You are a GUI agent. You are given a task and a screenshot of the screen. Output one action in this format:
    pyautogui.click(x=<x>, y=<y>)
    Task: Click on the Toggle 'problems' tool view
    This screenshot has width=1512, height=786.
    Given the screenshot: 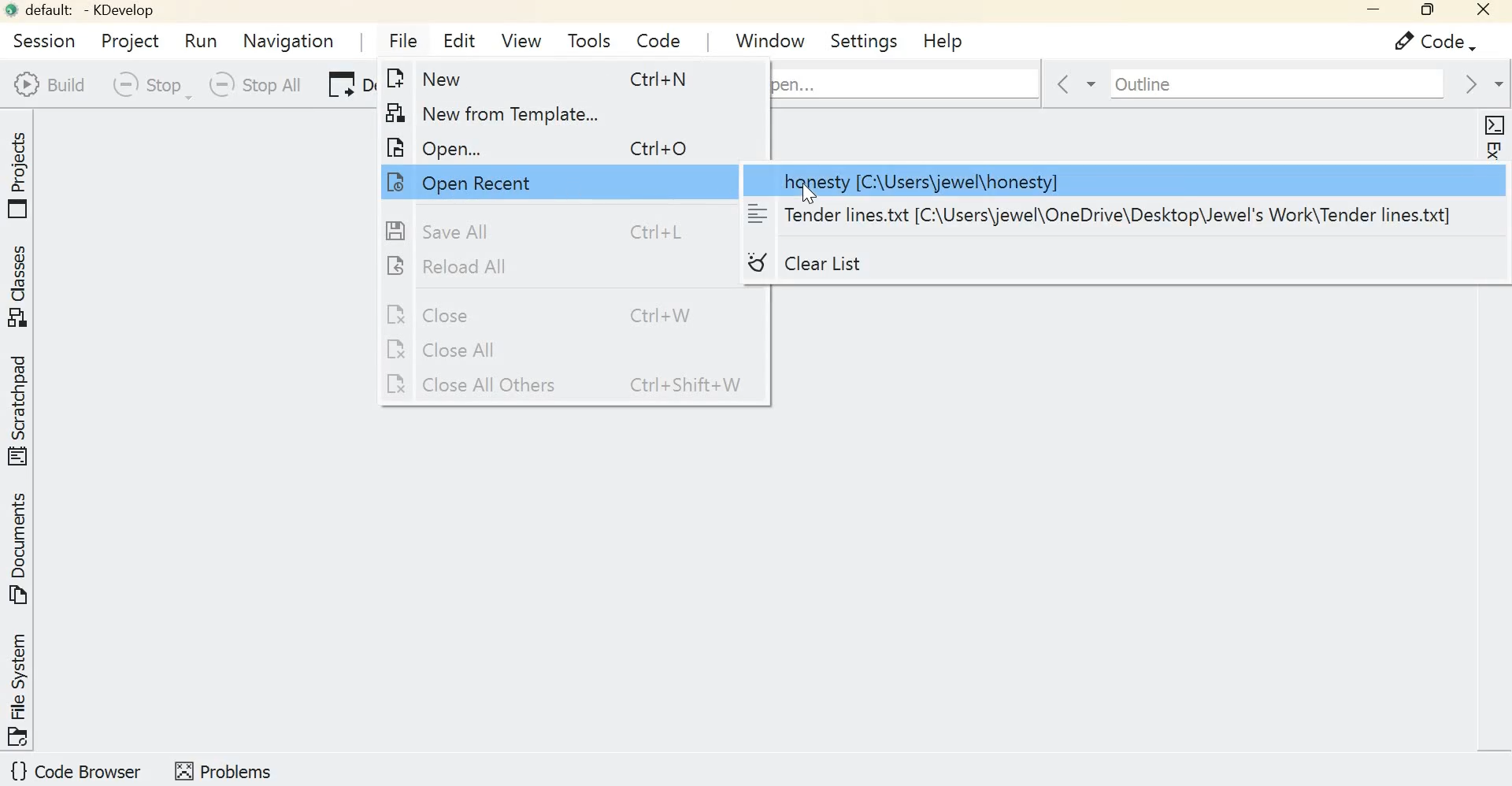 What is the action you would take?
    pyautogui.click(x=223, y=769)
    